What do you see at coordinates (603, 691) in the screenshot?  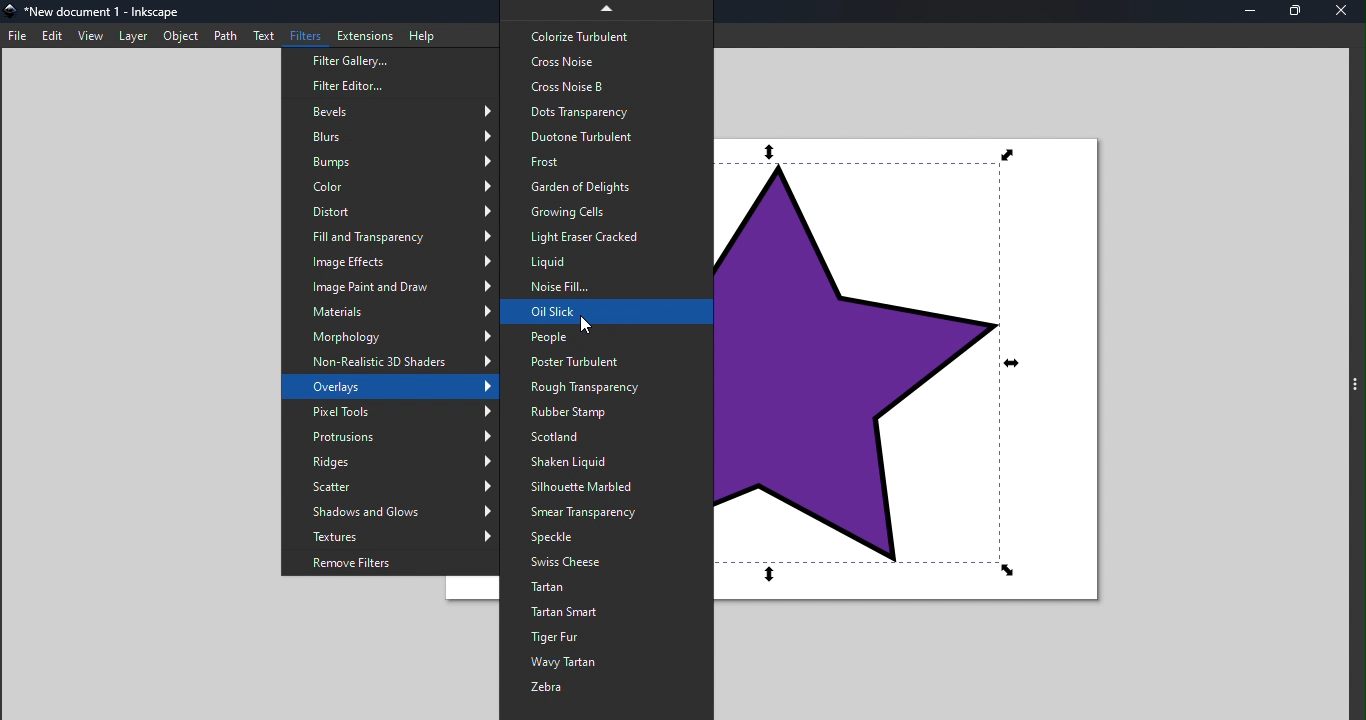 I see `Zebra` at bounding box center [603, 691].